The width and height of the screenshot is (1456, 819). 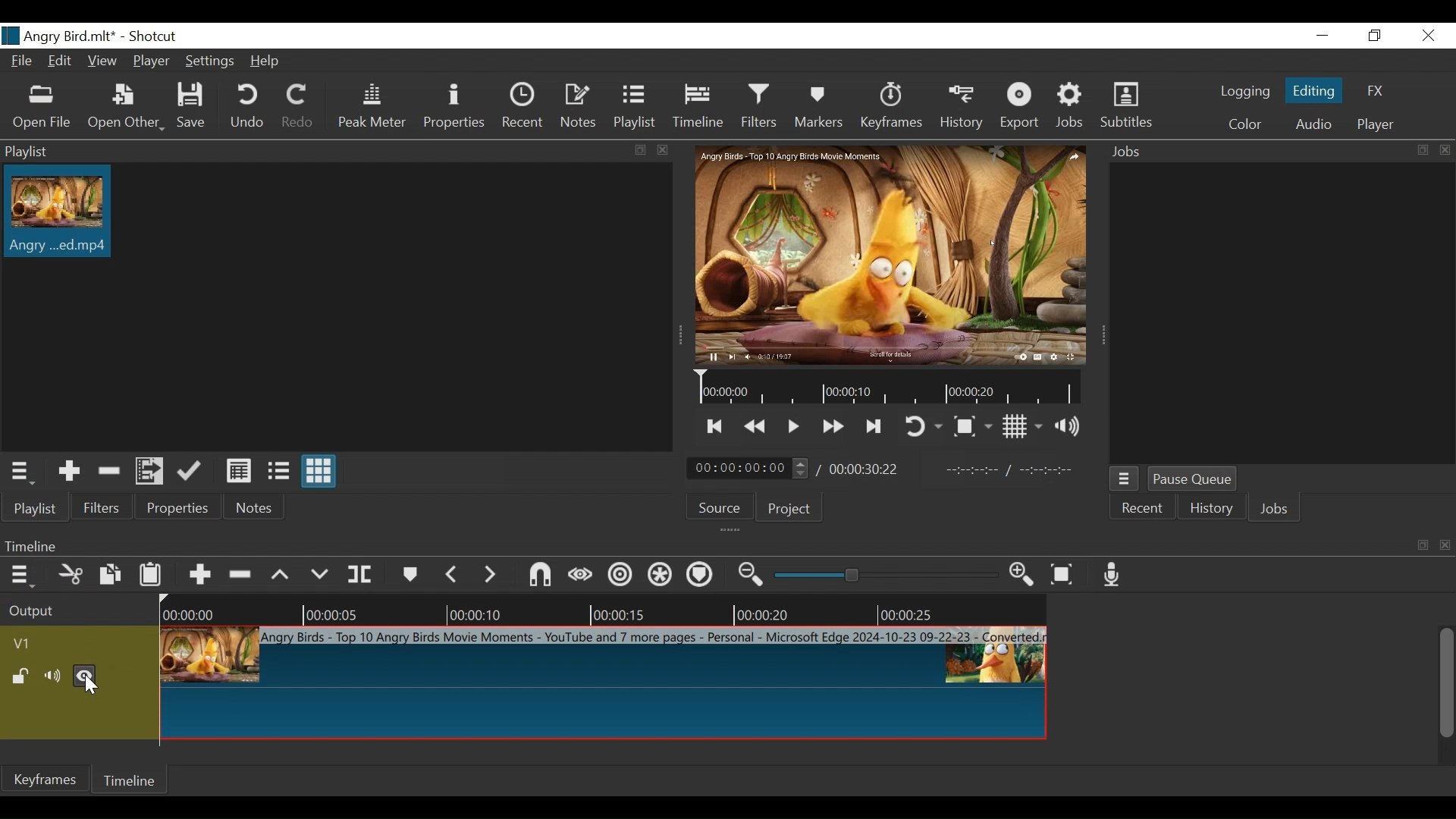 I want to click on Timeline, so click(x=698, y=106).